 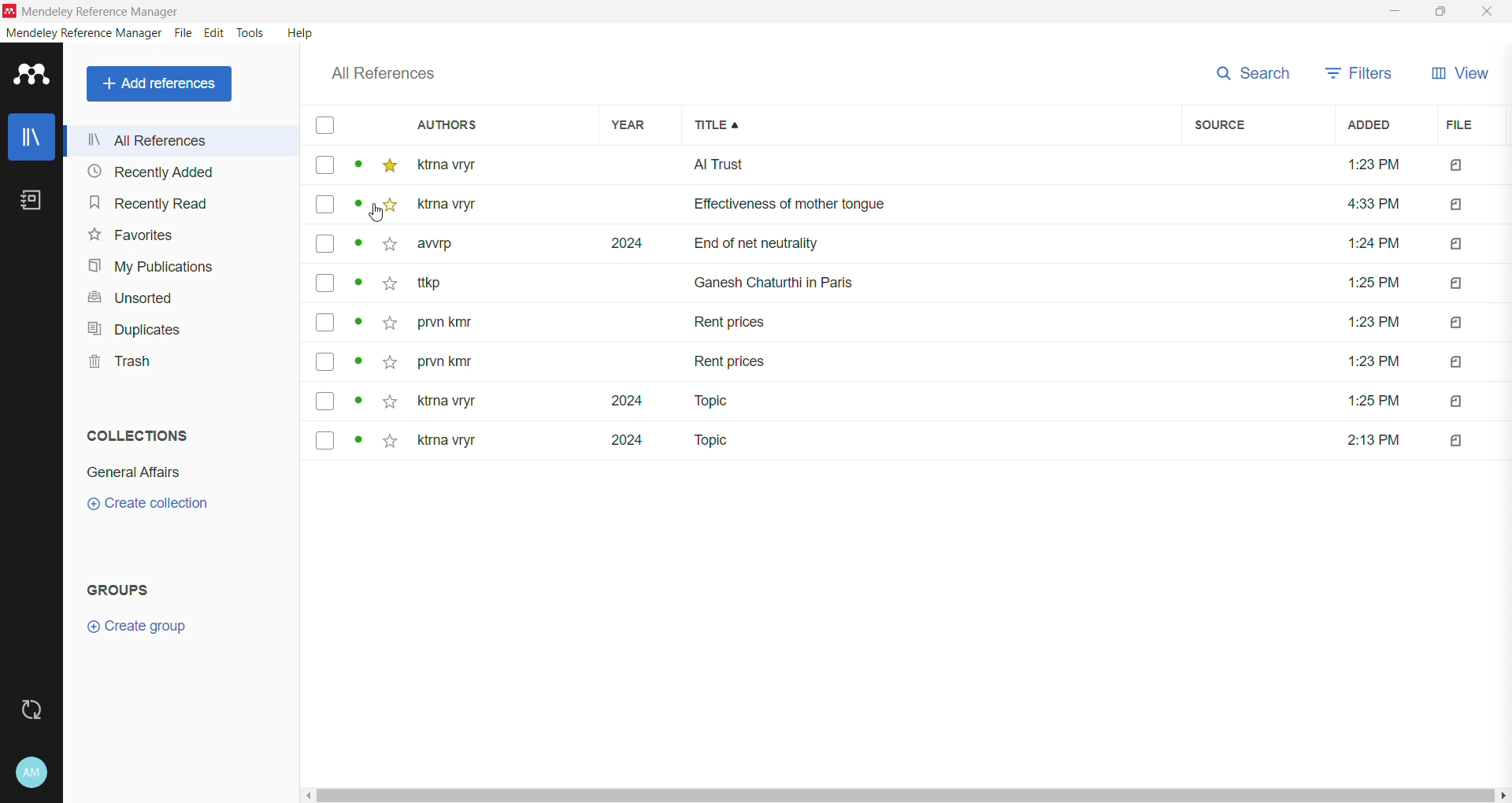 I want to click on Tools, so click(x=252, y=33).